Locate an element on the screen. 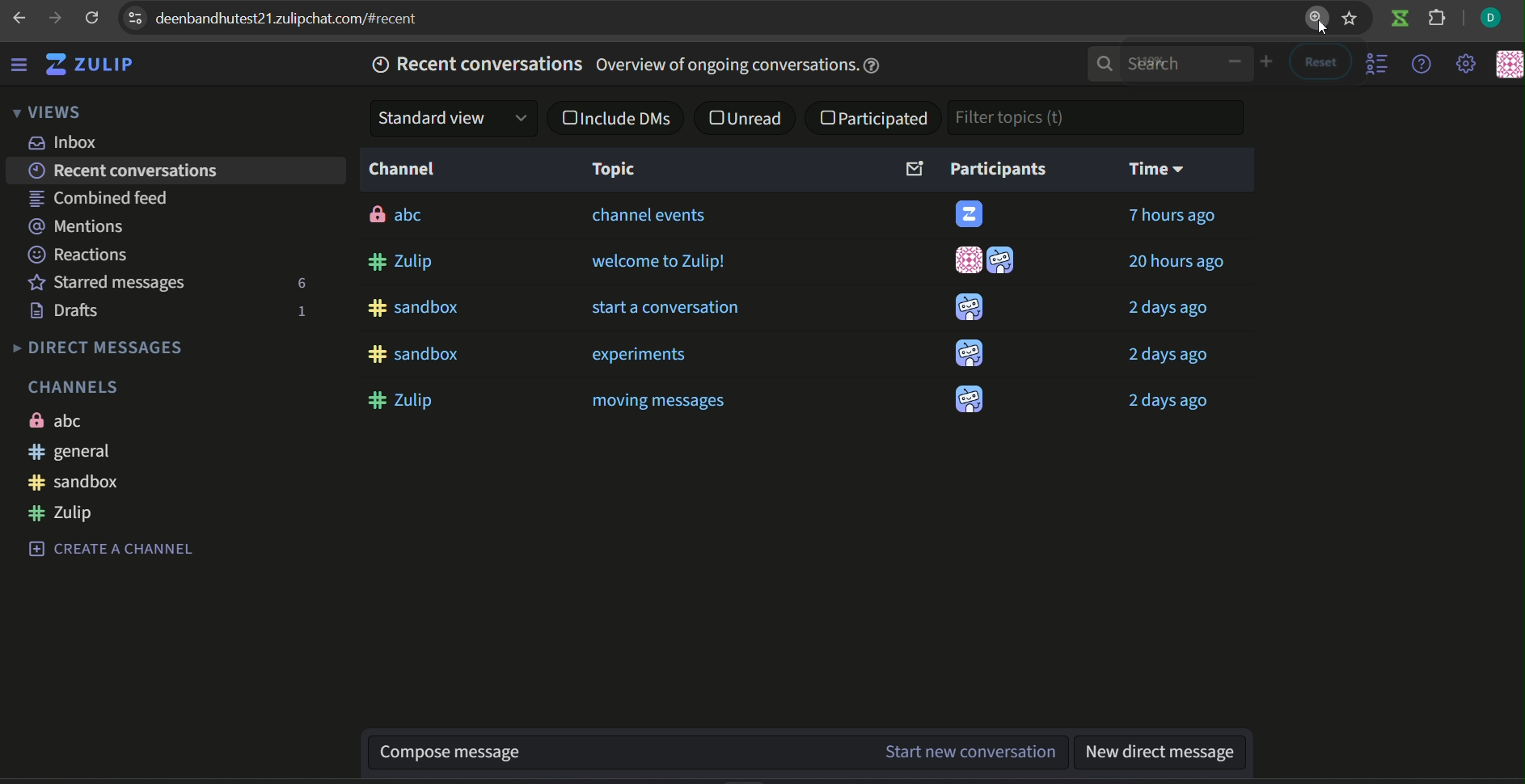 The height and width of the screenshot is (784, 1525). drafts is located at coordinates (68, 311).